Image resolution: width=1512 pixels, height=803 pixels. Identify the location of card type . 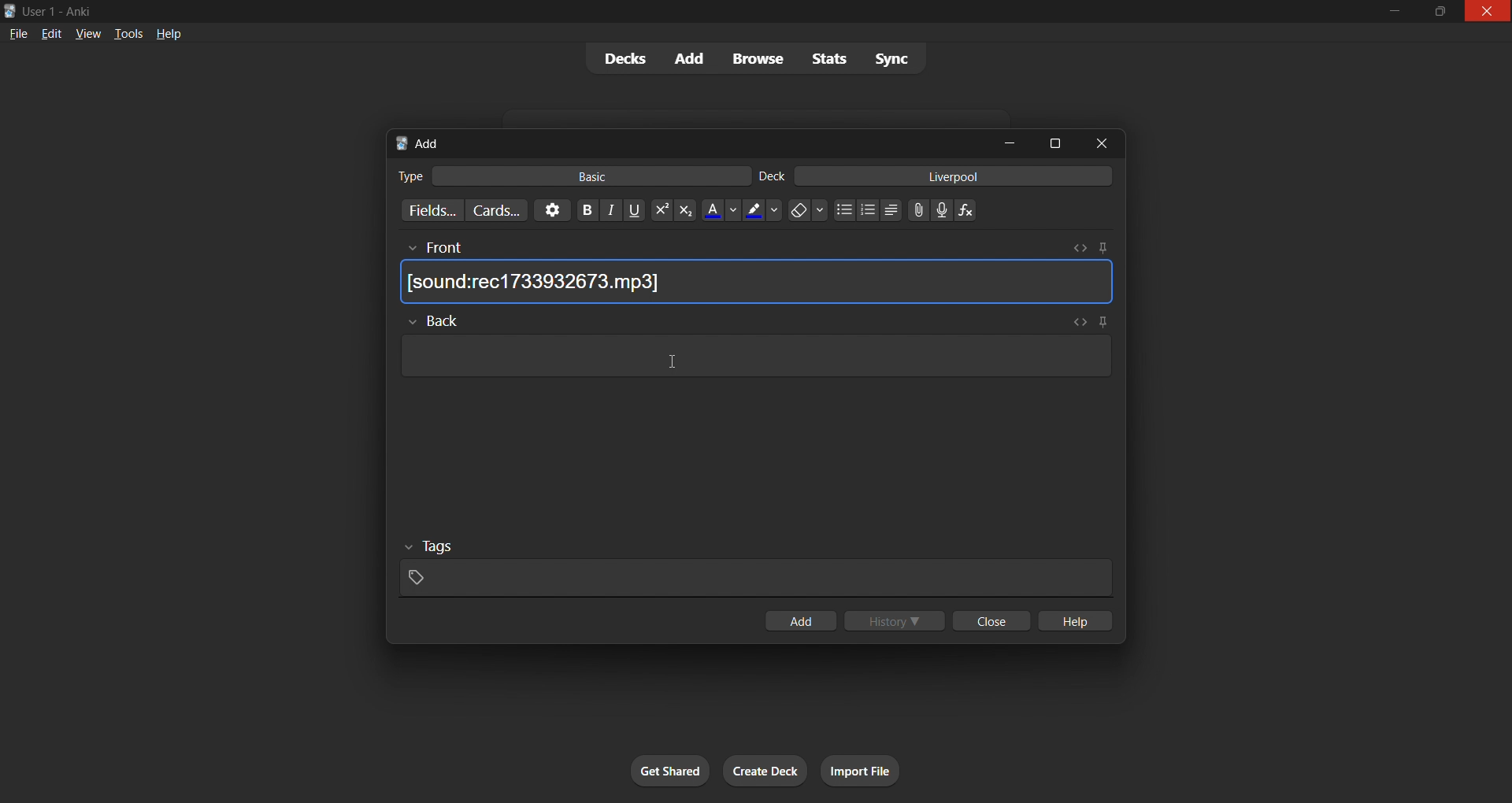
(406, 175).